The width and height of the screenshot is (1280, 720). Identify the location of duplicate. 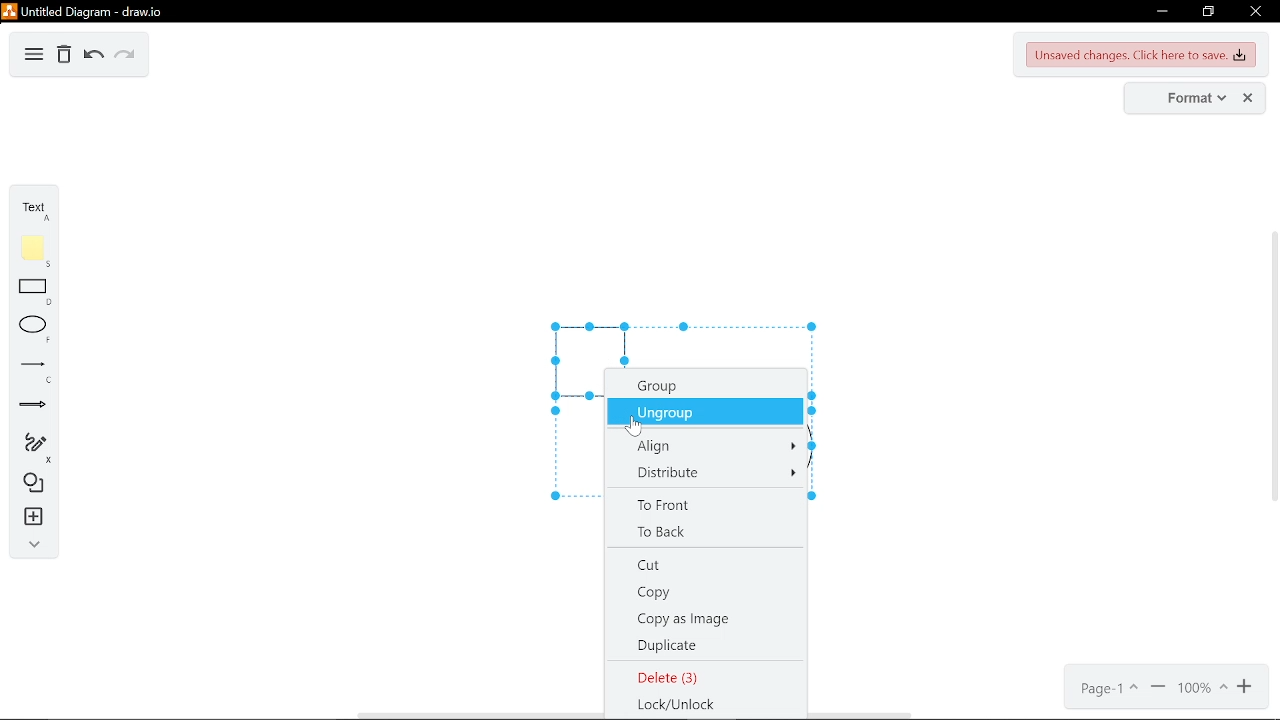
(706, 646).